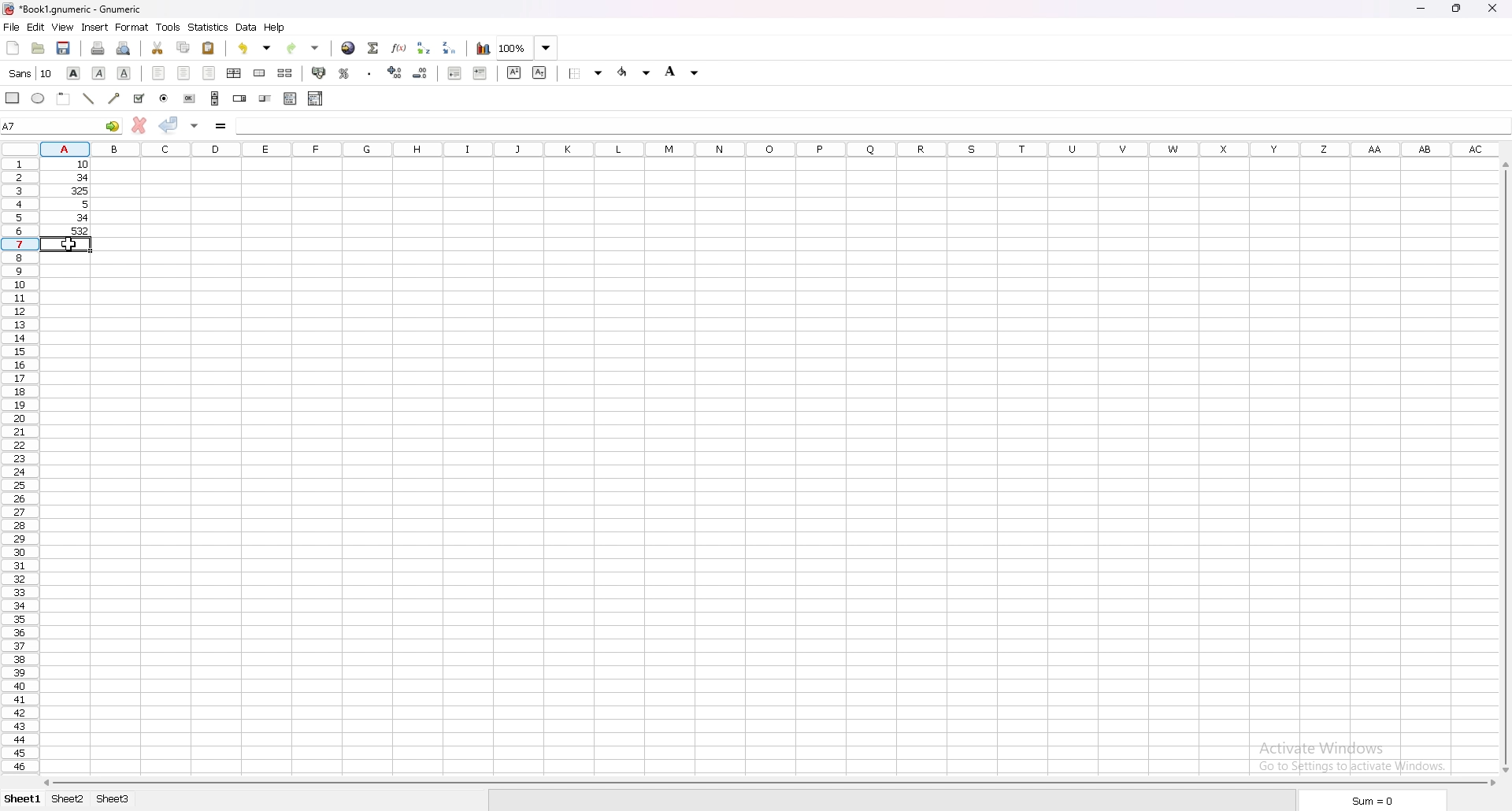 The width and height of the screenshot is (1512, 811). Describe the element at coordinates (168, 124) in the screenshot. I see `accept changes` at that location.